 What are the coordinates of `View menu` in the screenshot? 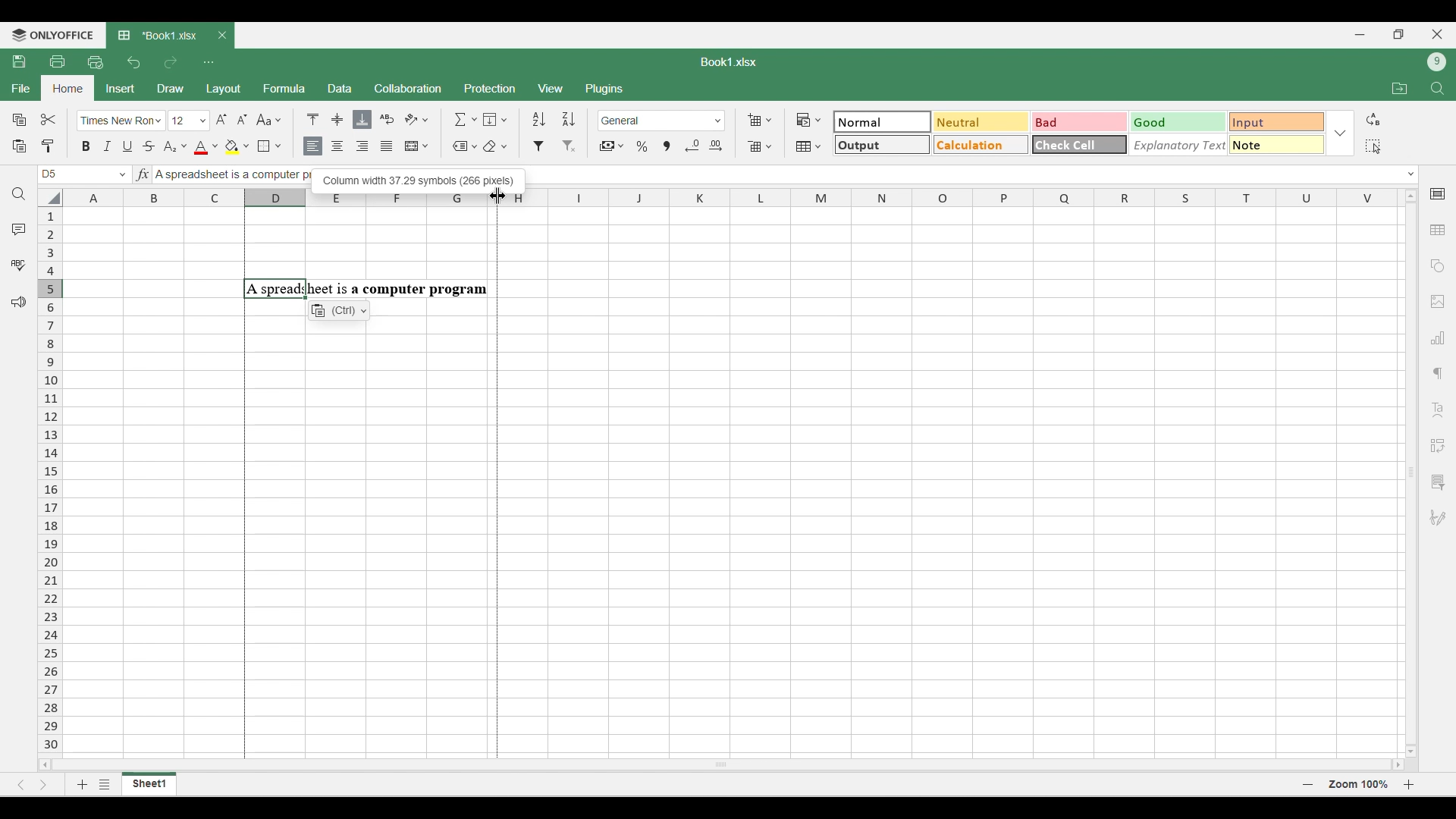 It's located at (552, 89).